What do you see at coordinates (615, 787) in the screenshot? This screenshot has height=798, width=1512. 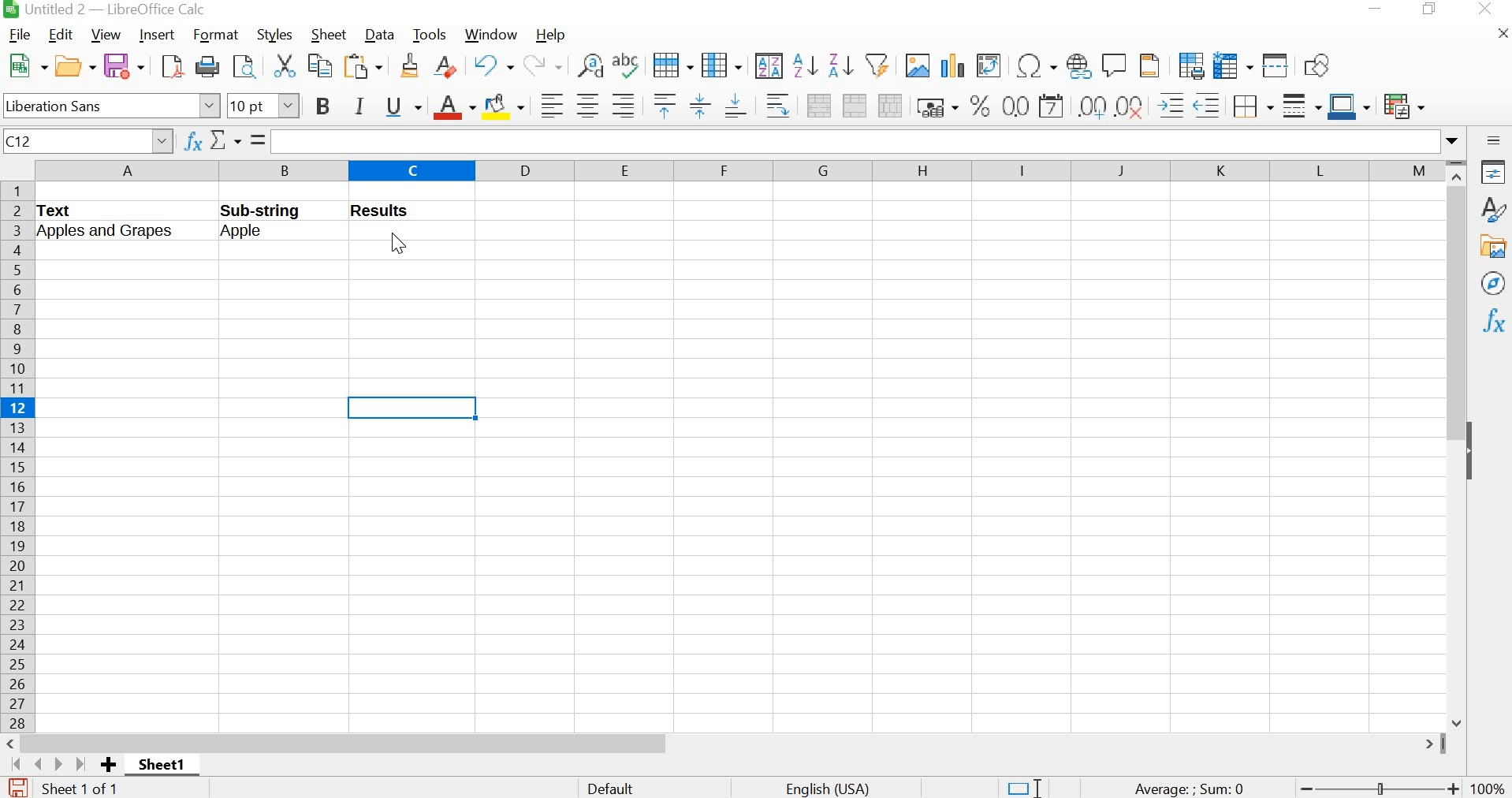 I see `default` at bounding box center [615, 787].